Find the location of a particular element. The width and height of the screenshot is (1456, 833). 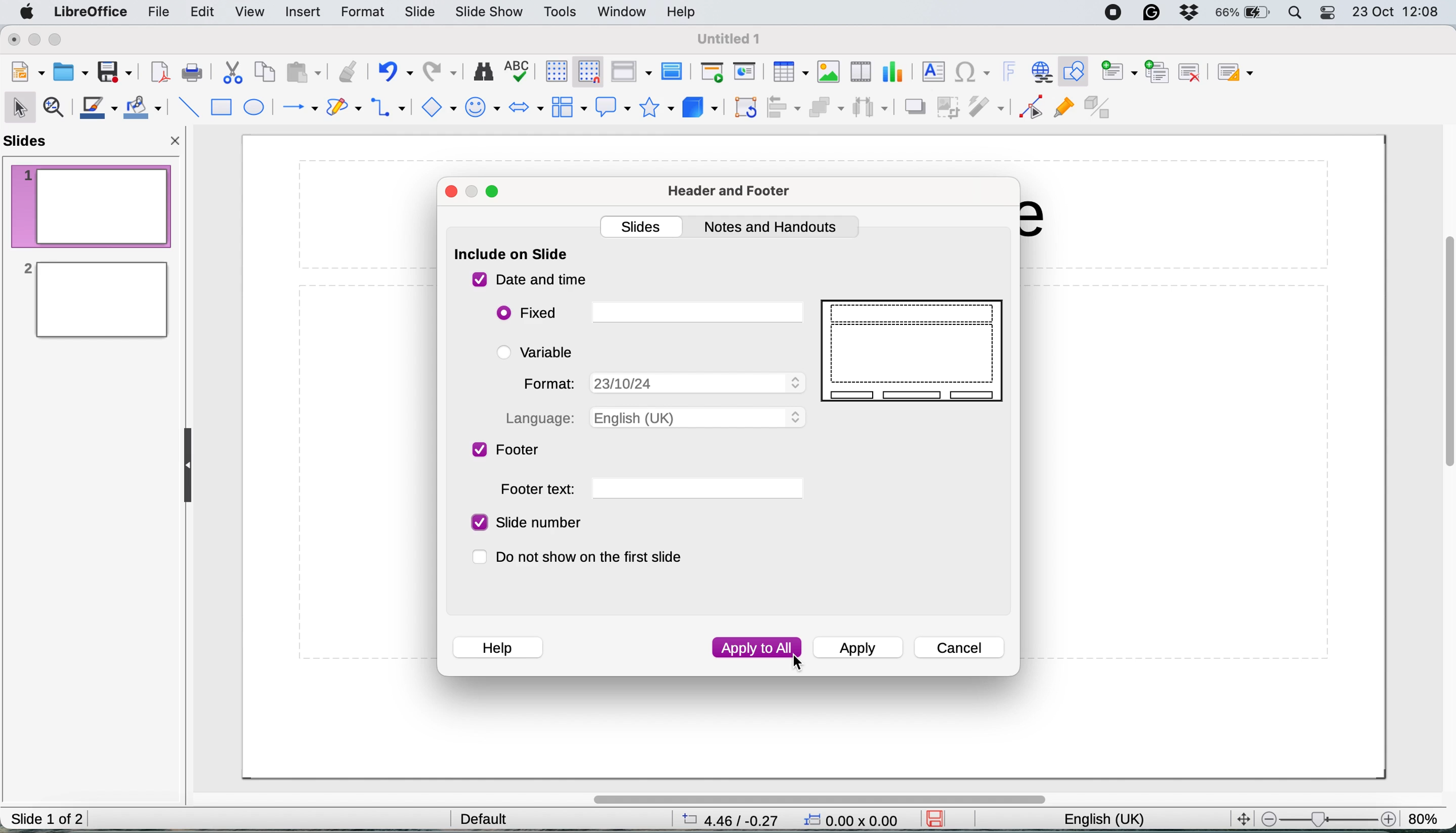

insert shapes is located at coordinates (436, 106).